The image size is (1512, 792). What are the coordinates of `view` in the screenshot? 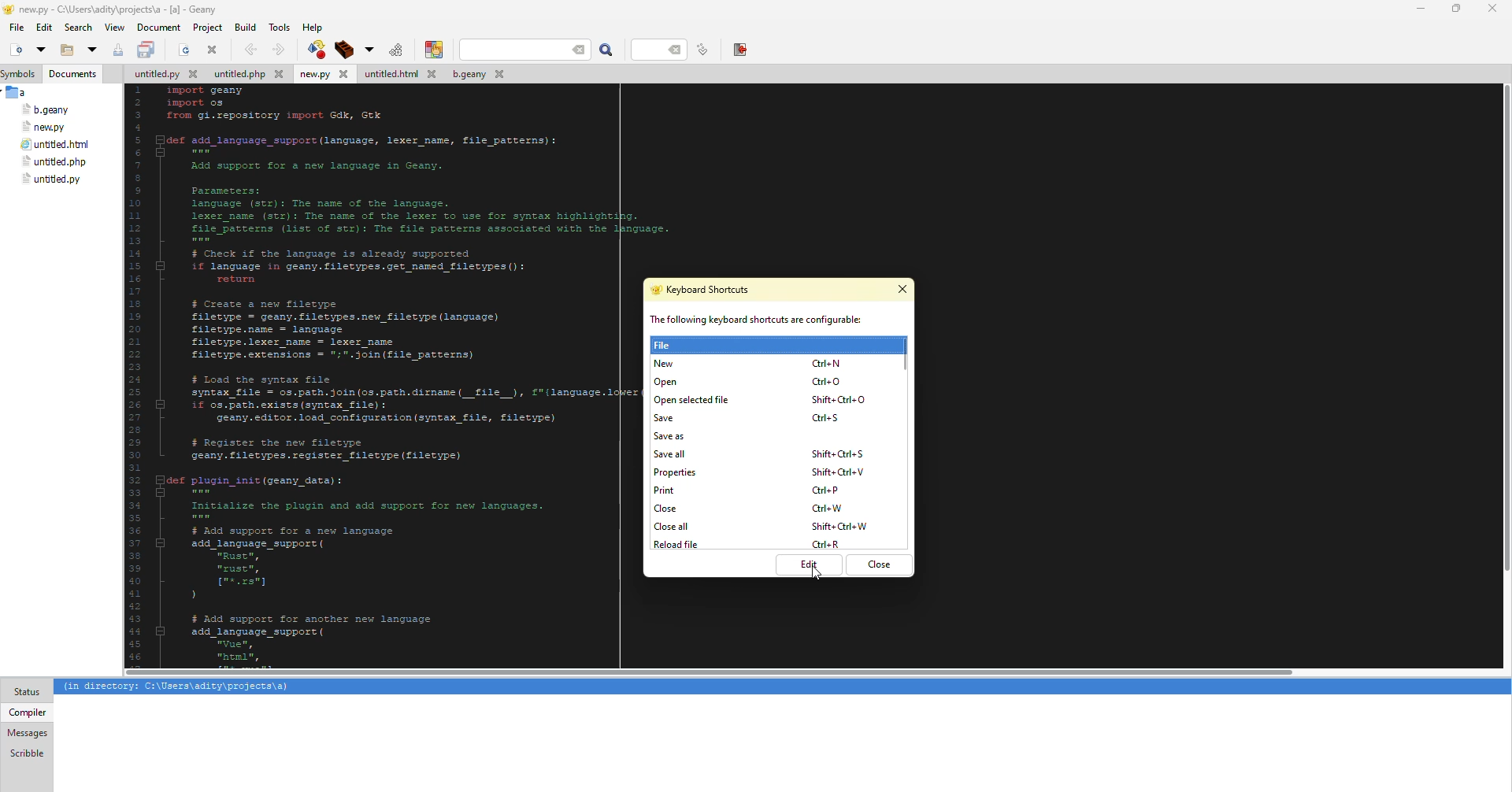 It's located at (114, 28).